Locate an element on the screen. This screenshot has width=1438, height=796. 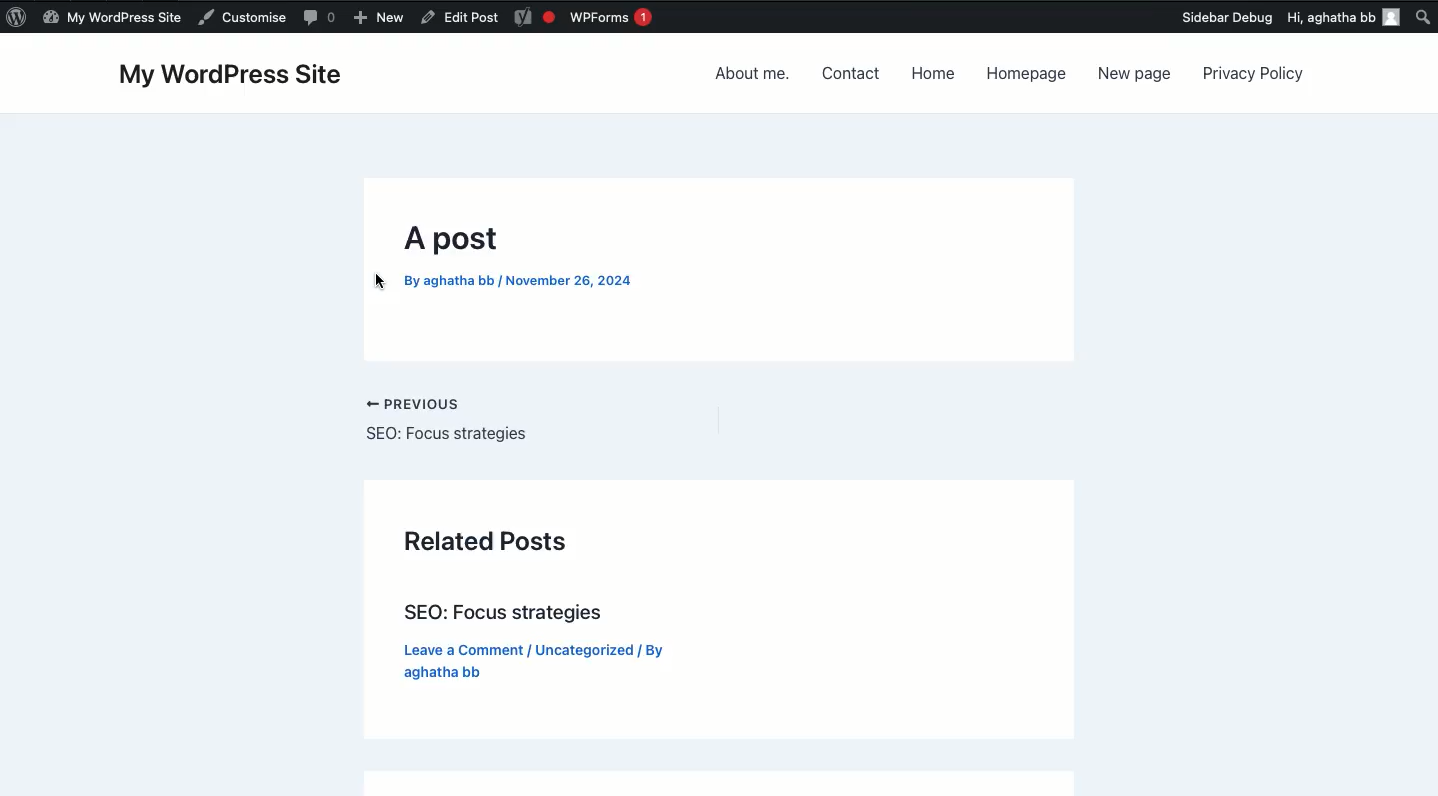
Contact is located at coordinates (851, 74).